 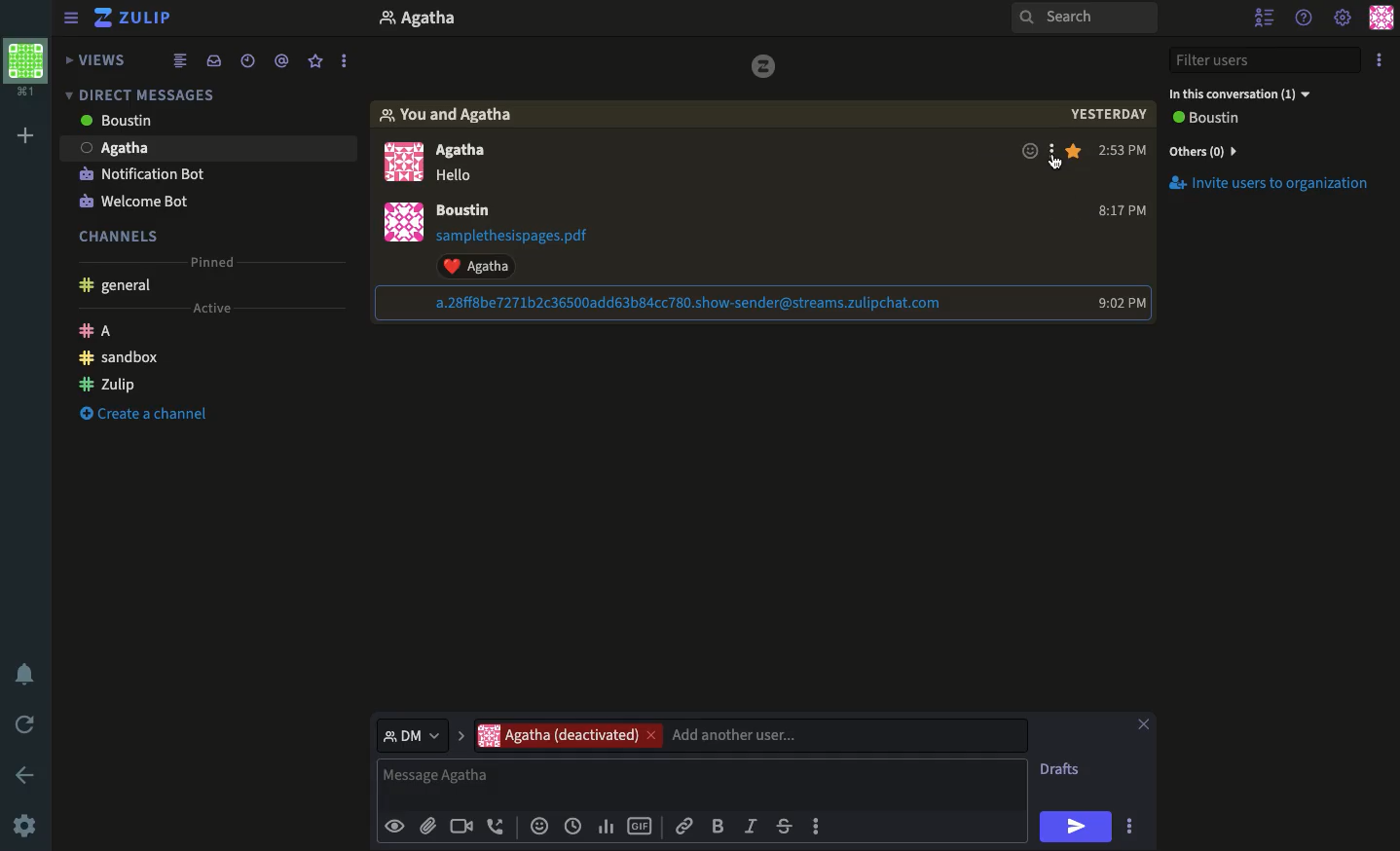 I want to click on Add global time, so click(x=576, y=826).